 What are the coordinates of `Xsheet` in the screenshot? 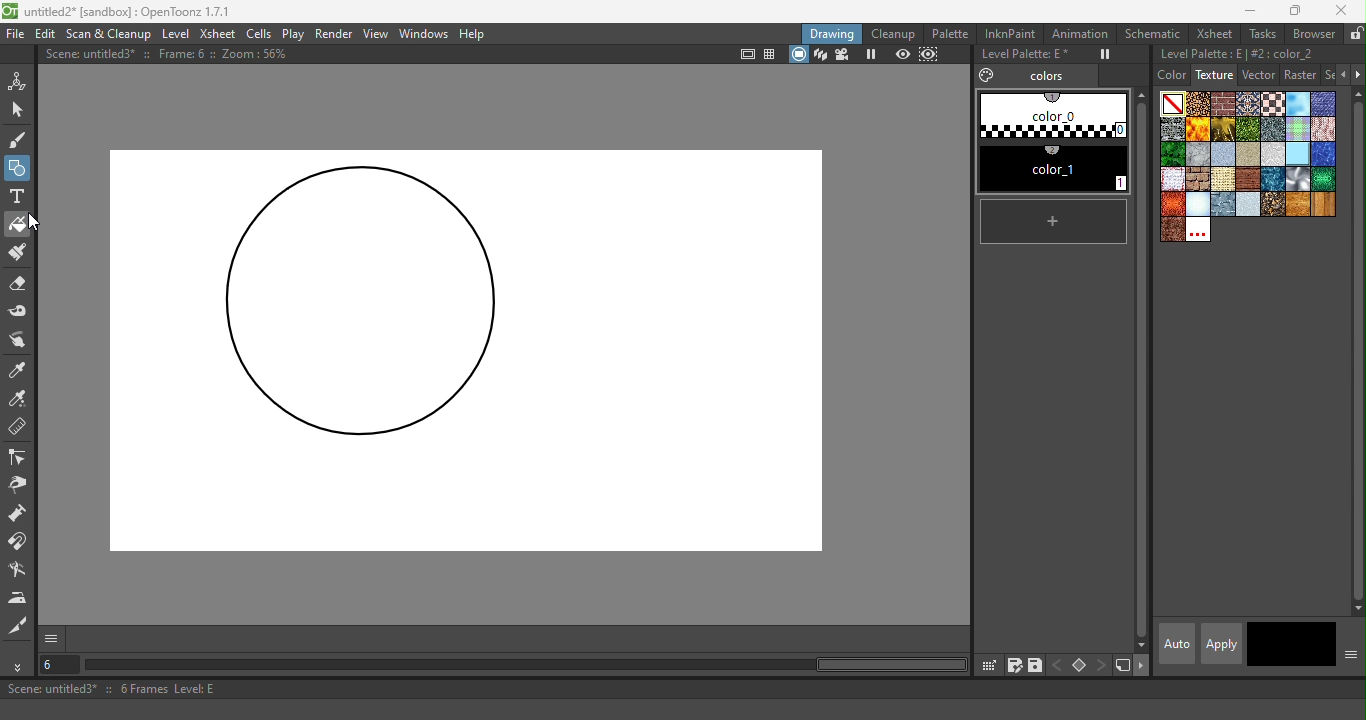 It's located at (1214, 34).